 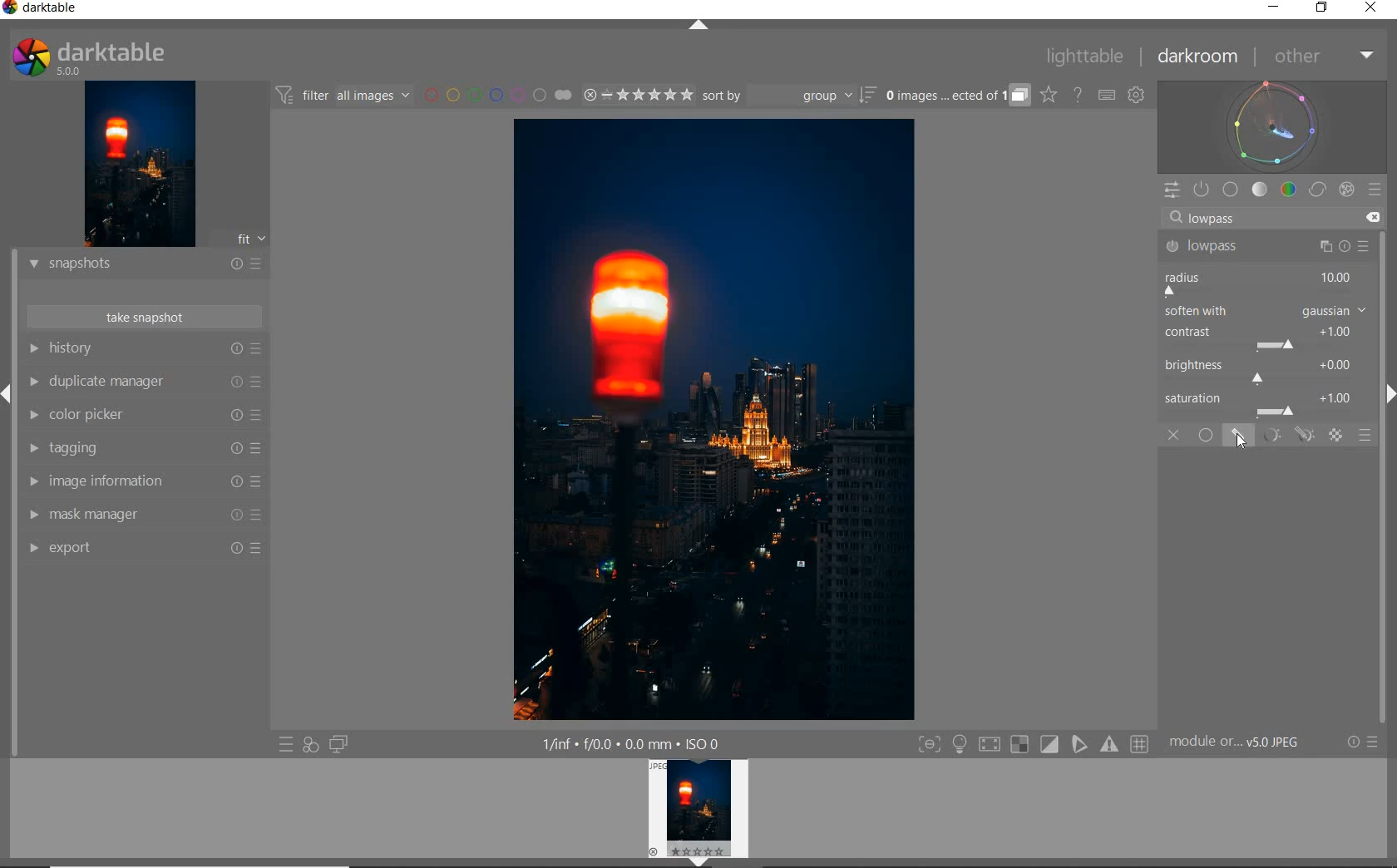 I want to click on HISTORY, so click(x=113, y=350).